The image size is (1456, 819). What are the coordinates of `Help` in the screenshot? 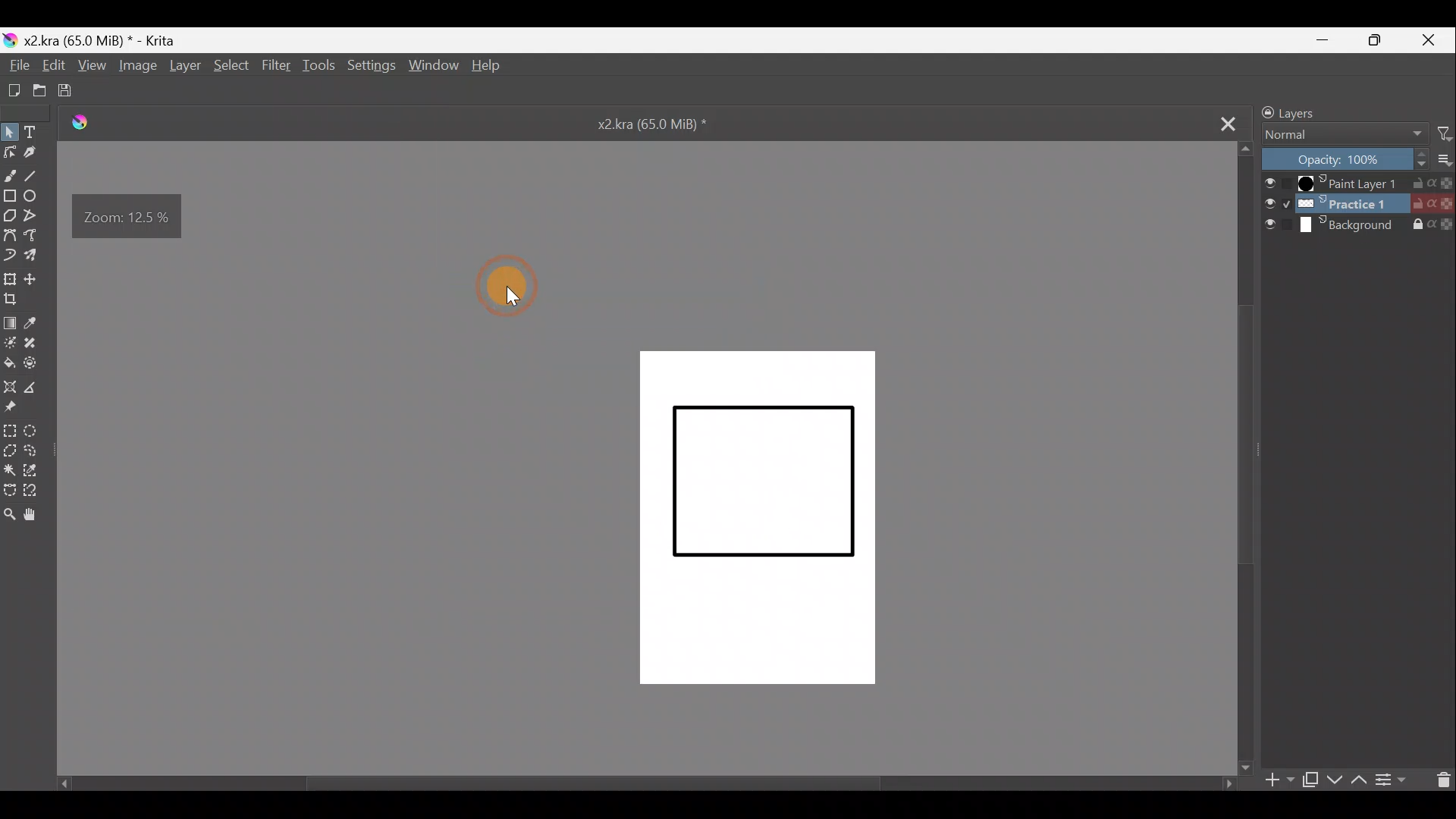 It's located at (493, 69).